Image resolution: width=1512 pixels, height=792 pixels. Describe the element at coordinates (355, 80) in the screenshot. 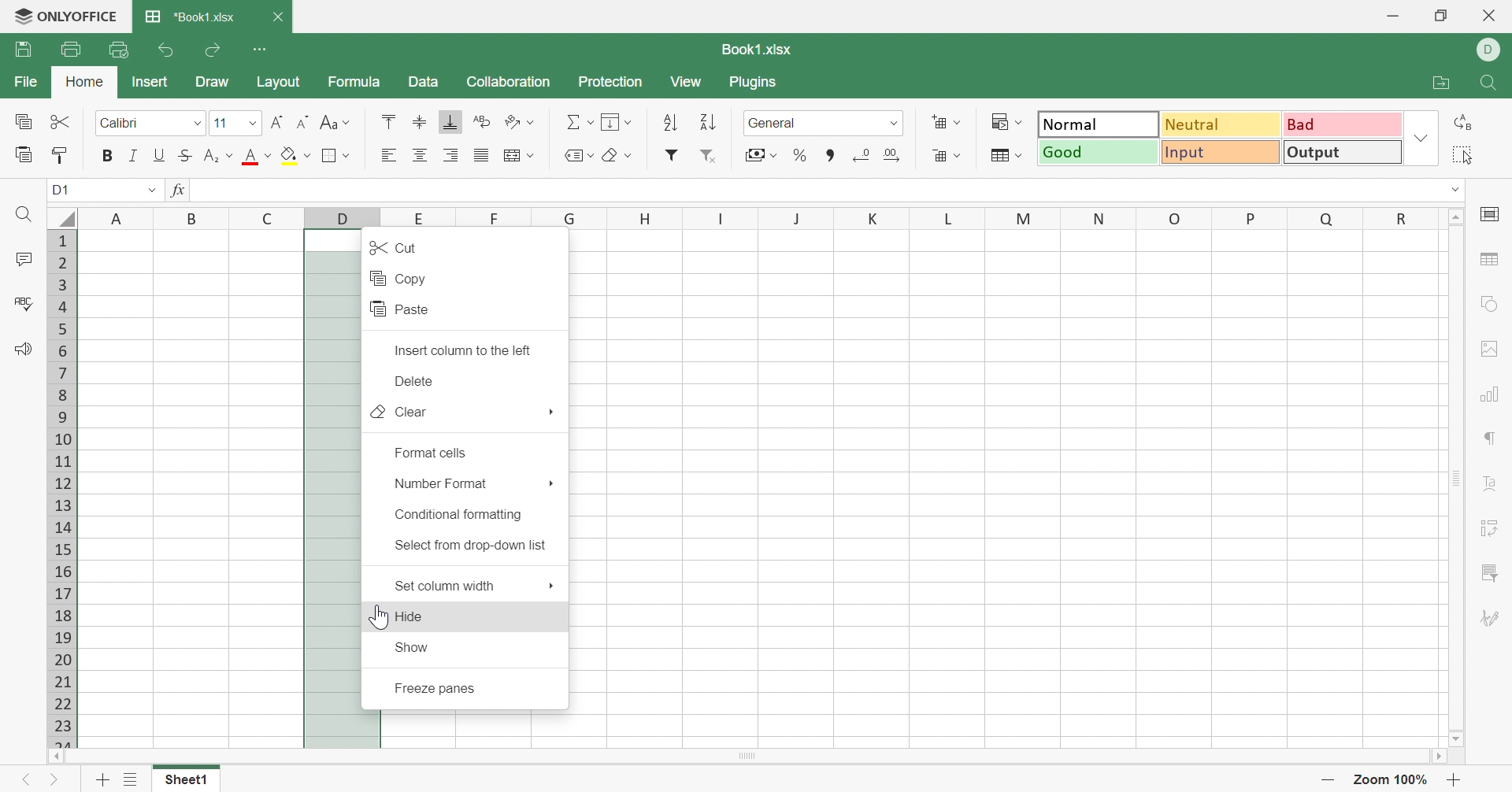

I see `Formula` at that location.